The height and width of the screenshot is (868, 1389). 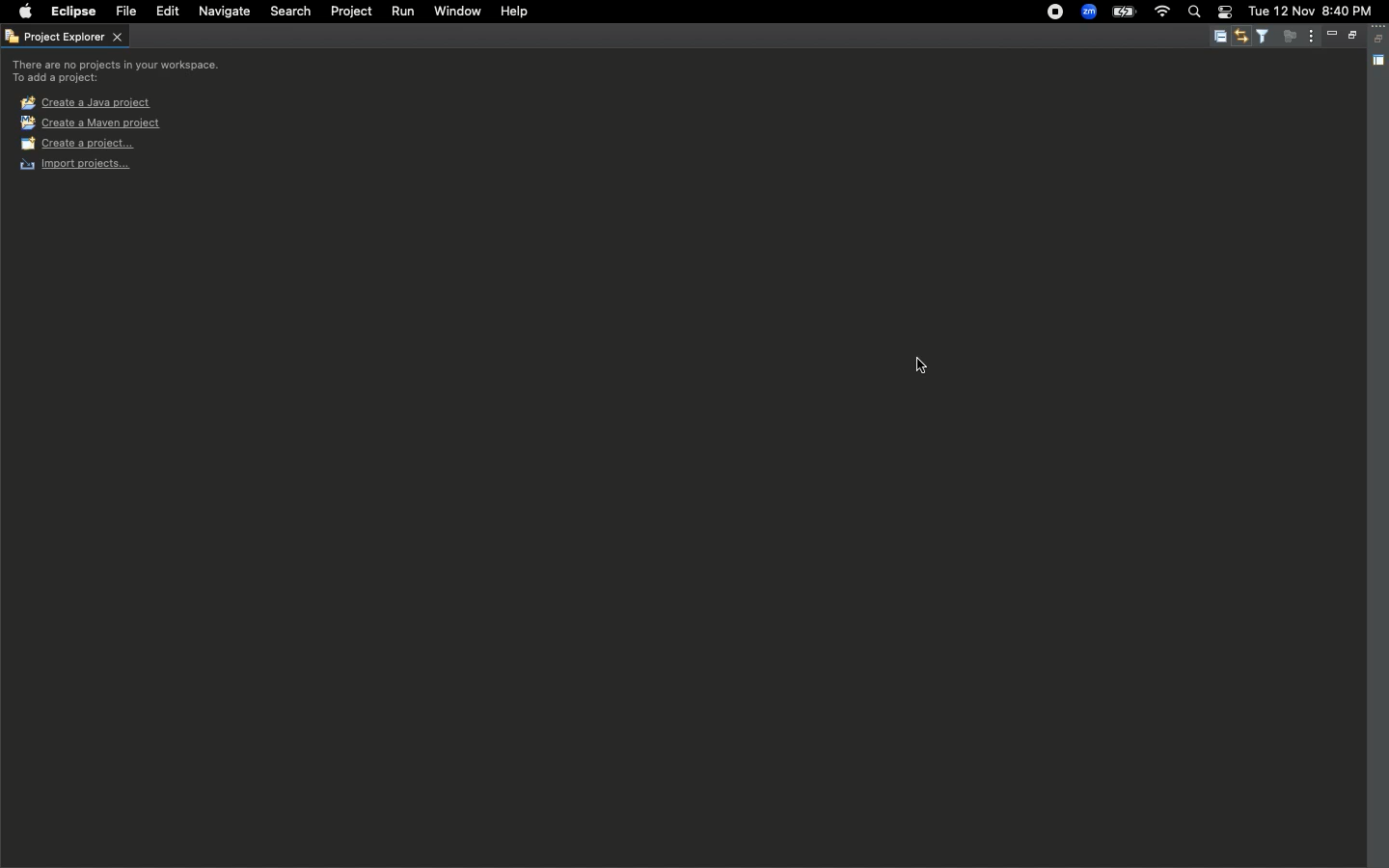 I want to click on Collapse all, so click(x=1380, y=39).